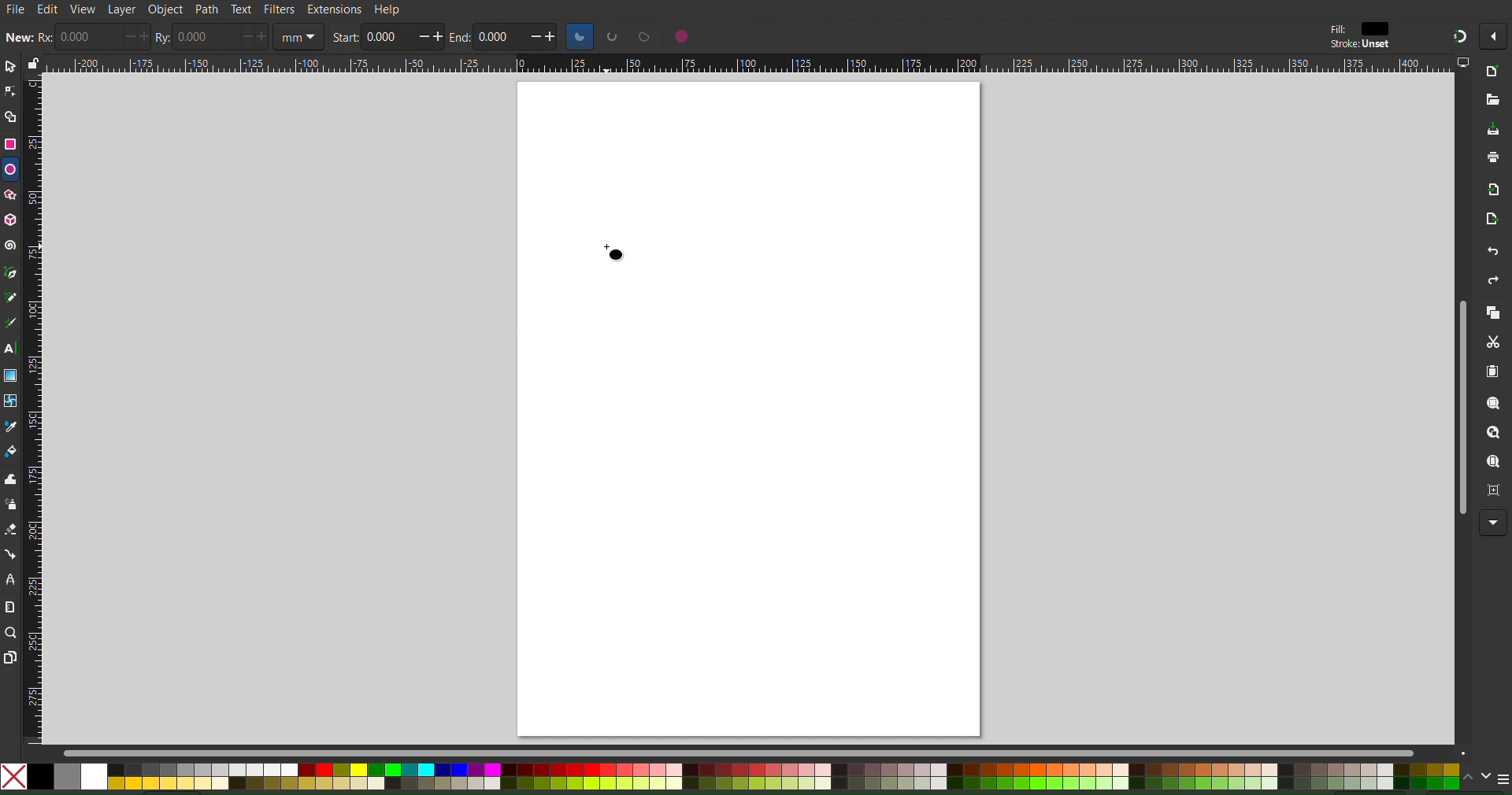 The height and width of the screenshot is (795, 1512). Describe the element at coordinates (206, 9) in the screenshot. I see `Path` at that location.